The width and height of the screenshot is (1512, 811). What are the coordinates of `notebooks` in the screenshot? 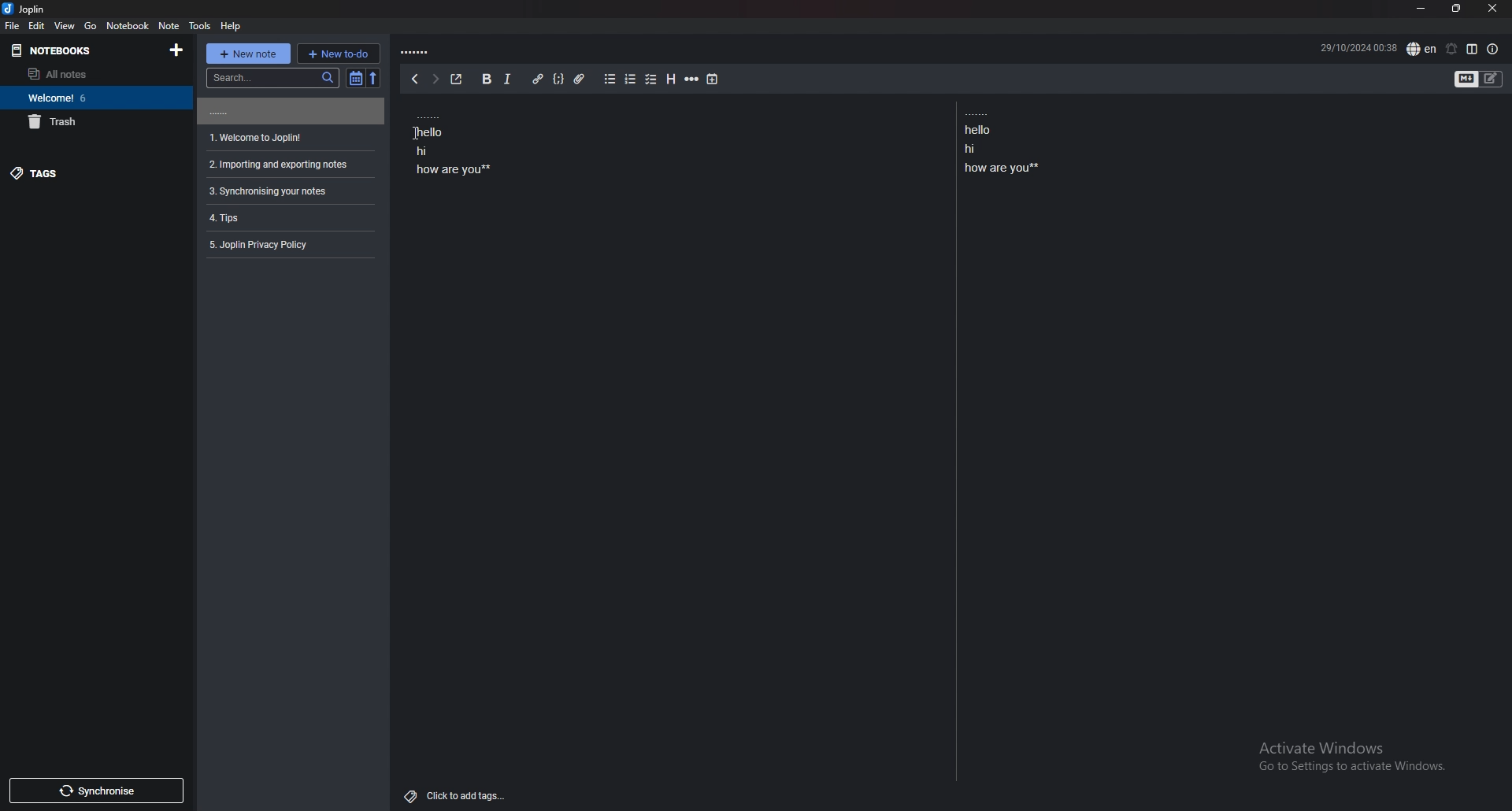 It's located at (83, 50).